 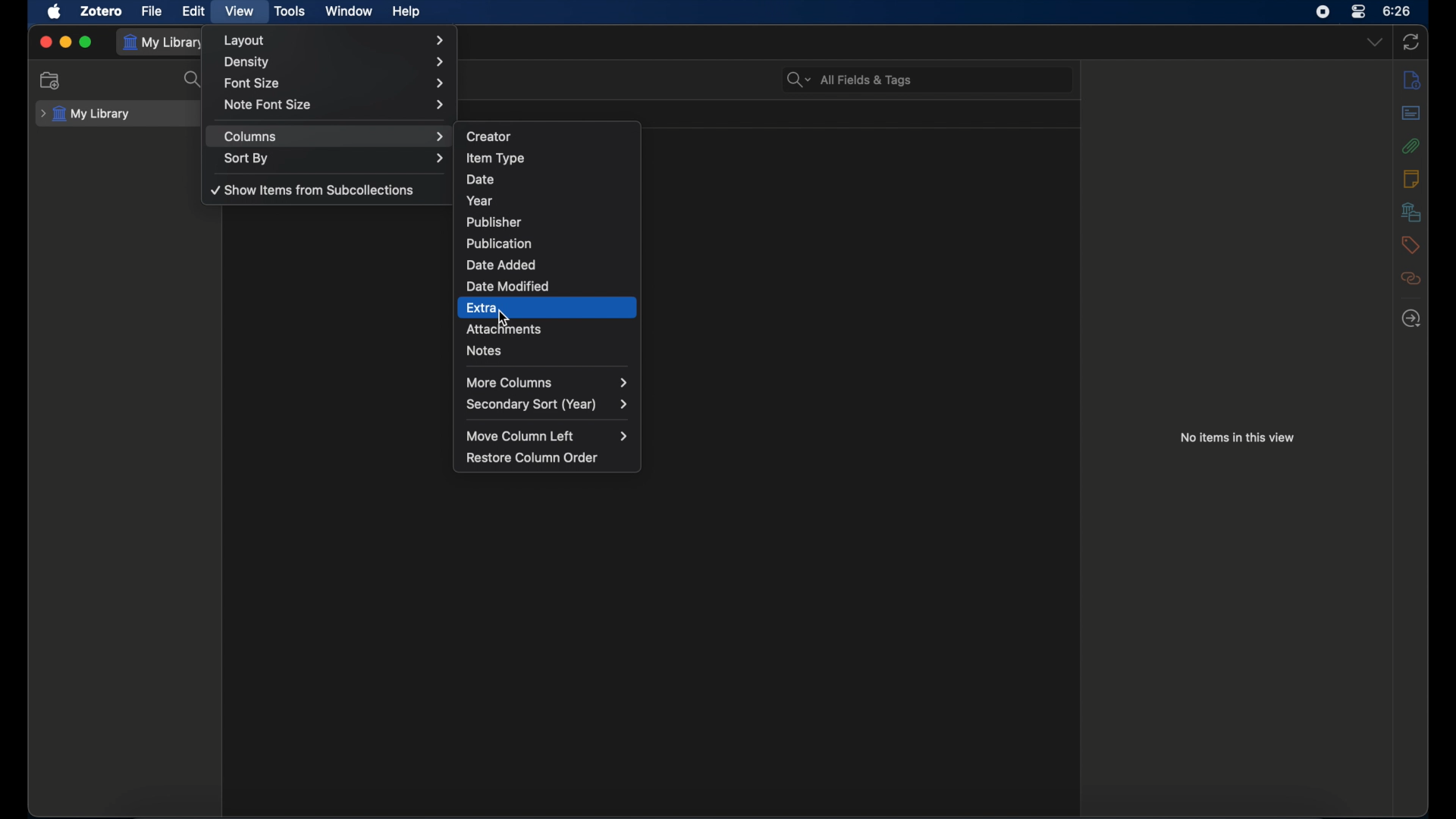 What do you see at coordinates (85, 114) in the screenshot?
I see `my library` at bounding box center [85, 114].